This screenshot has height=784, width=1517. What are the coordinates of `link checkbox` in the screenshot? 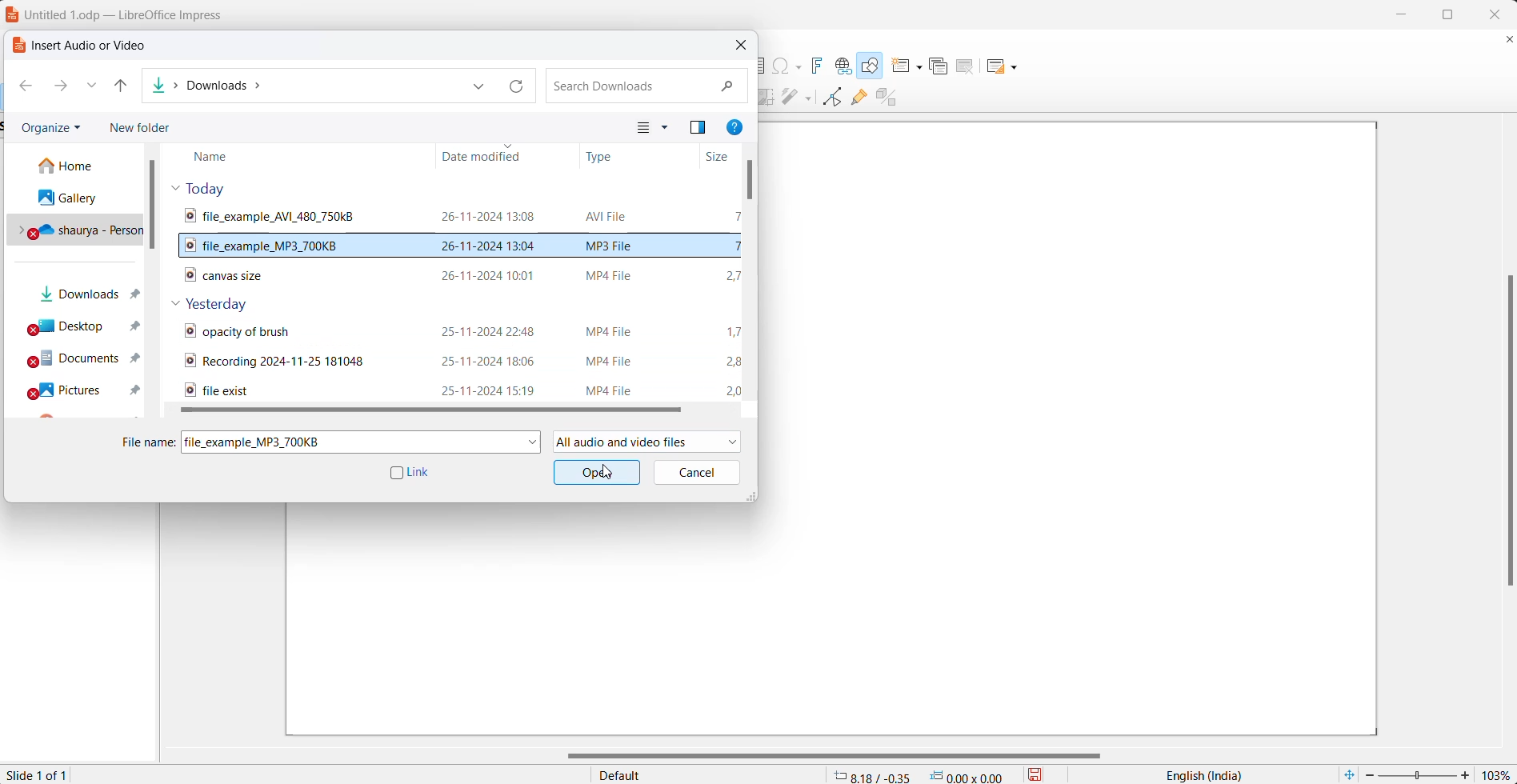 It's located at (410, 474).